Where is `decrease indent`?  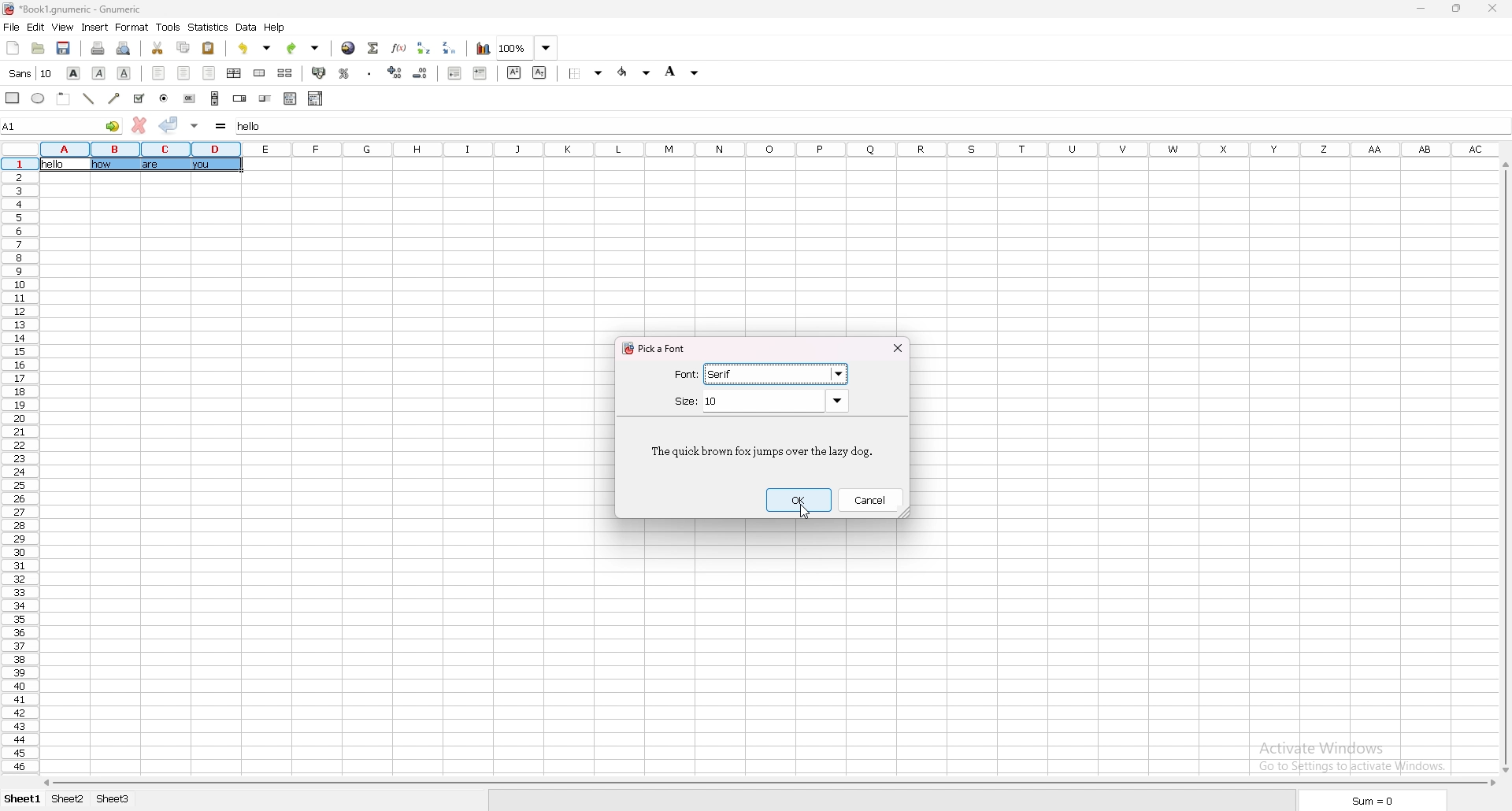
decrease indent is located at coordinates (455, 73).